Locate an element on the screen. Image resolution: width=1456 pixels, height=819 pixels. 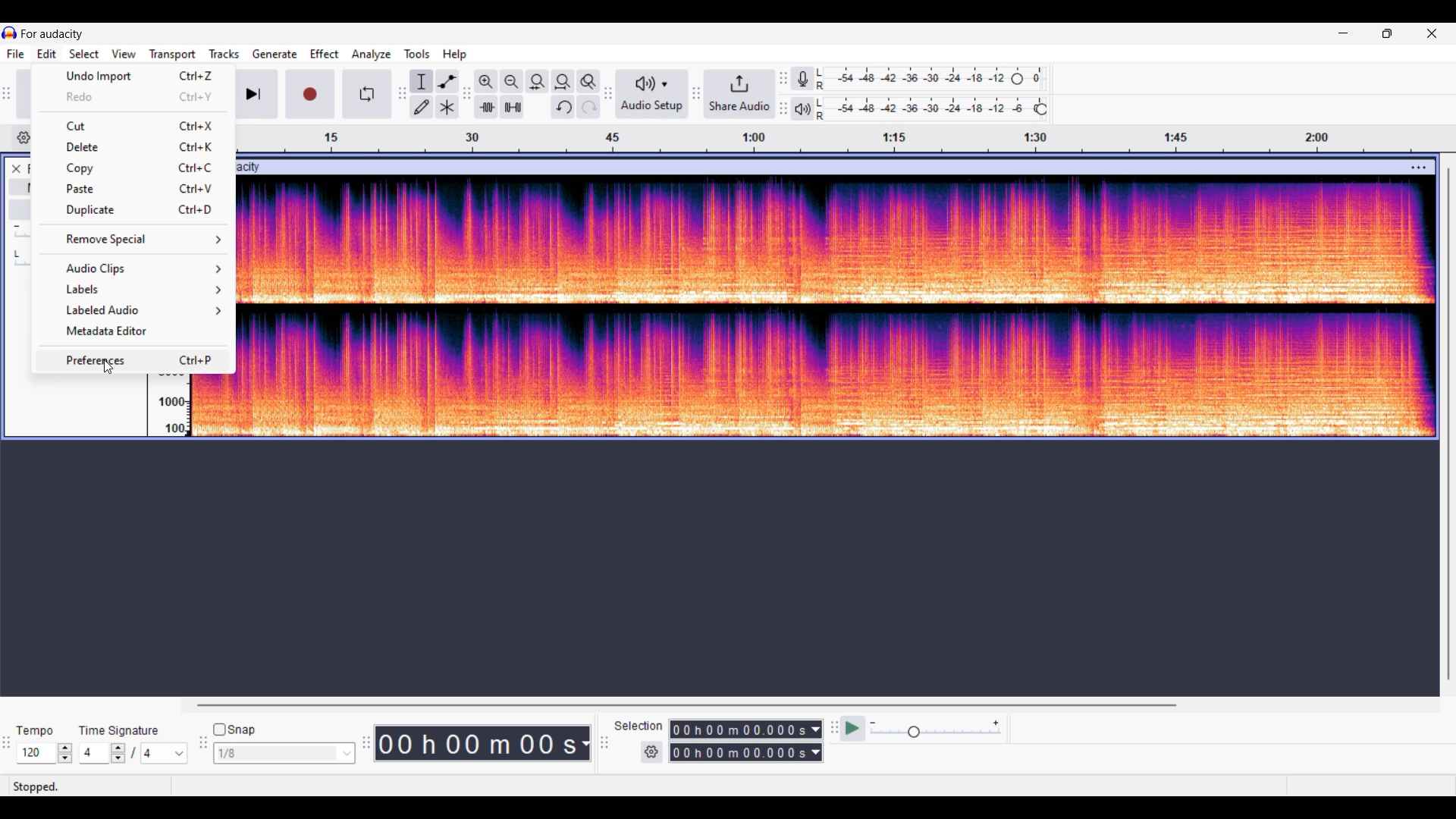
Recording meter is located at coordinates (802, 78).